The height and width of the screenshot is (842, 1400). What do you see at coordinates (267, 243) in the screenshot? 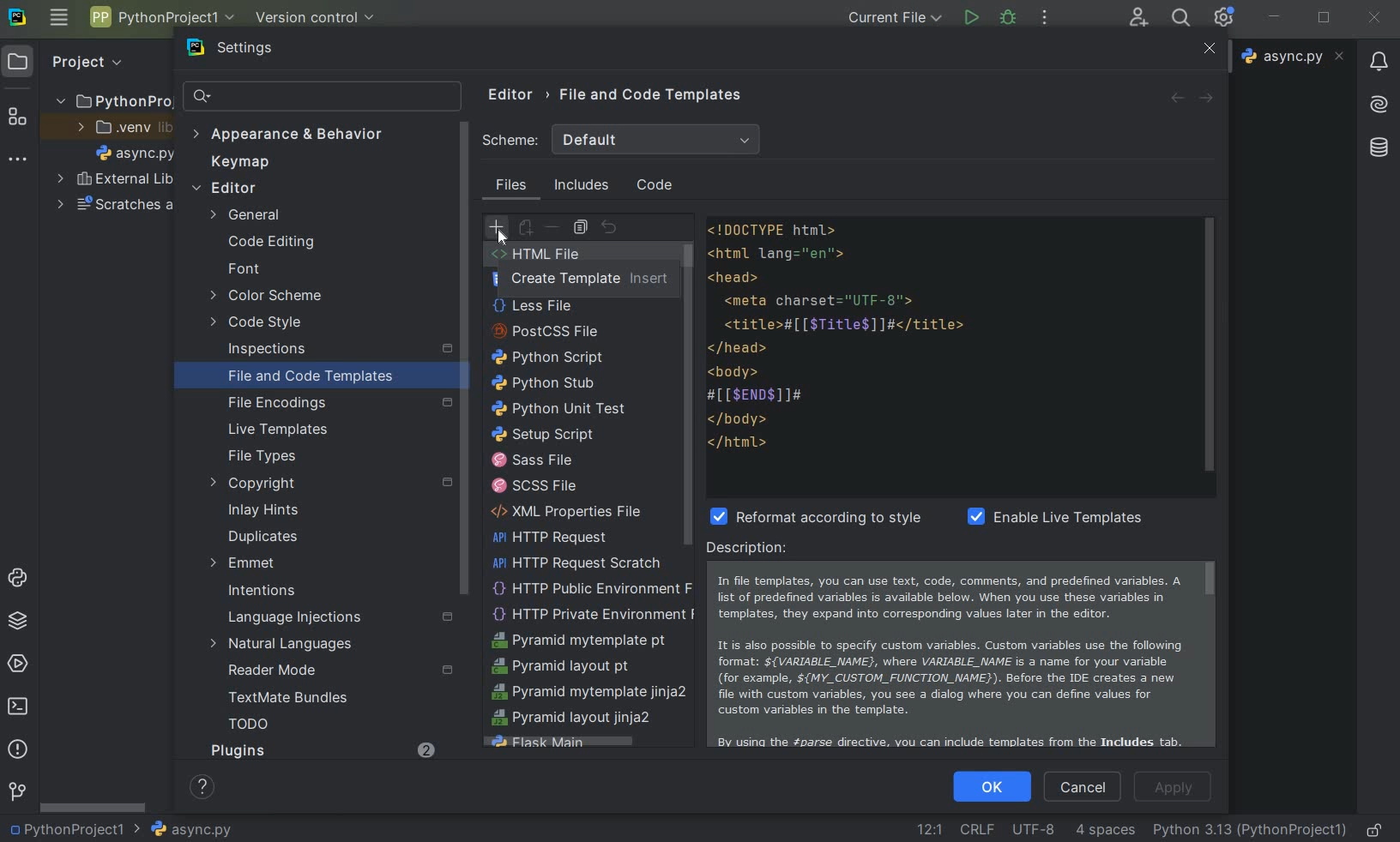
I see `code editing` at bounding box center [267, 243].